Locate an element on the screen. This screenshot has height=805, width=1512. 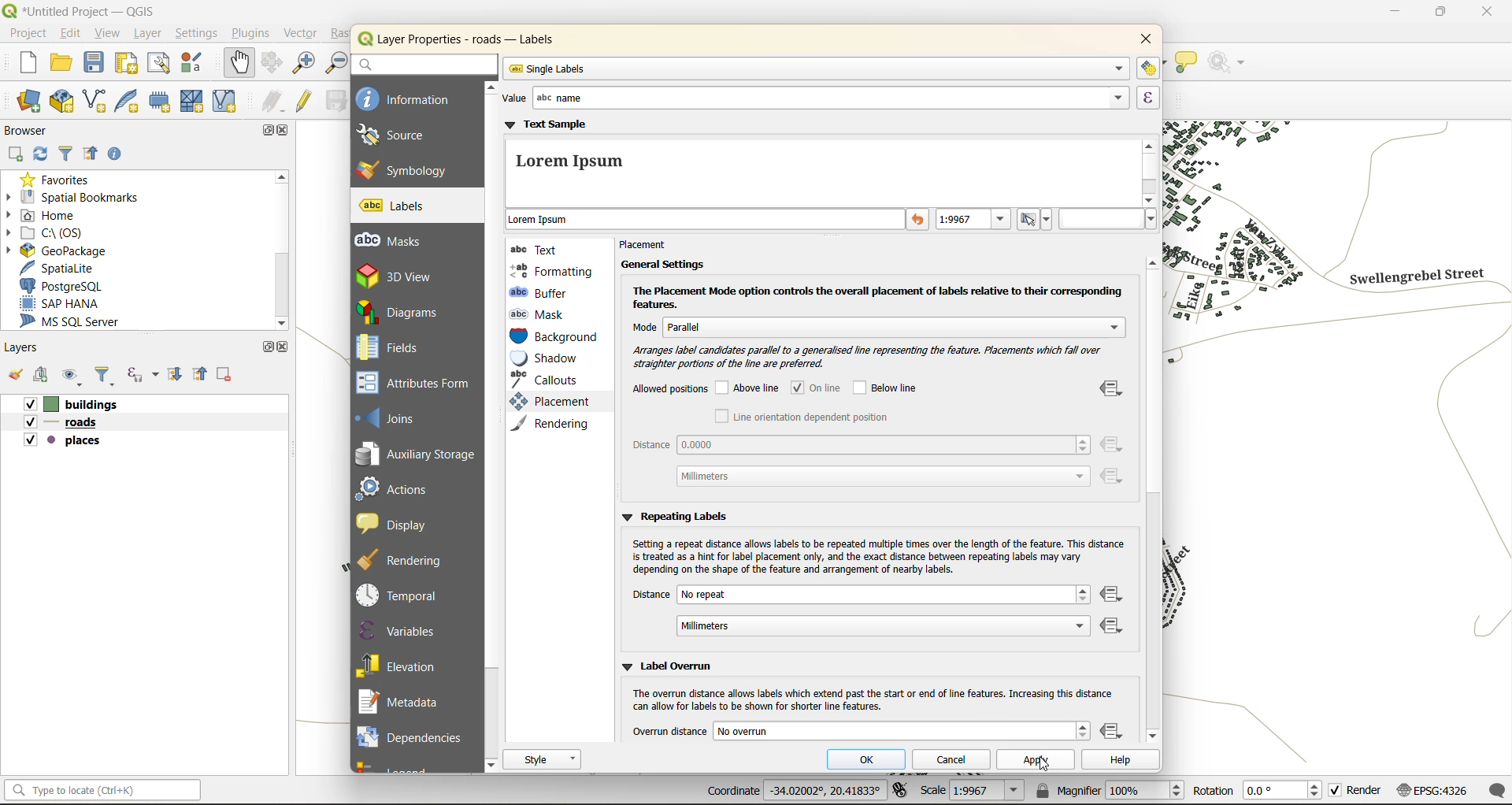
‘Ww Label Overrun
‘The overrun distance allows labels which extend past the start or end of line features. Increasing this distance
can allow for labels to be shown for shorter line features. is located at coordinates (872, 687).